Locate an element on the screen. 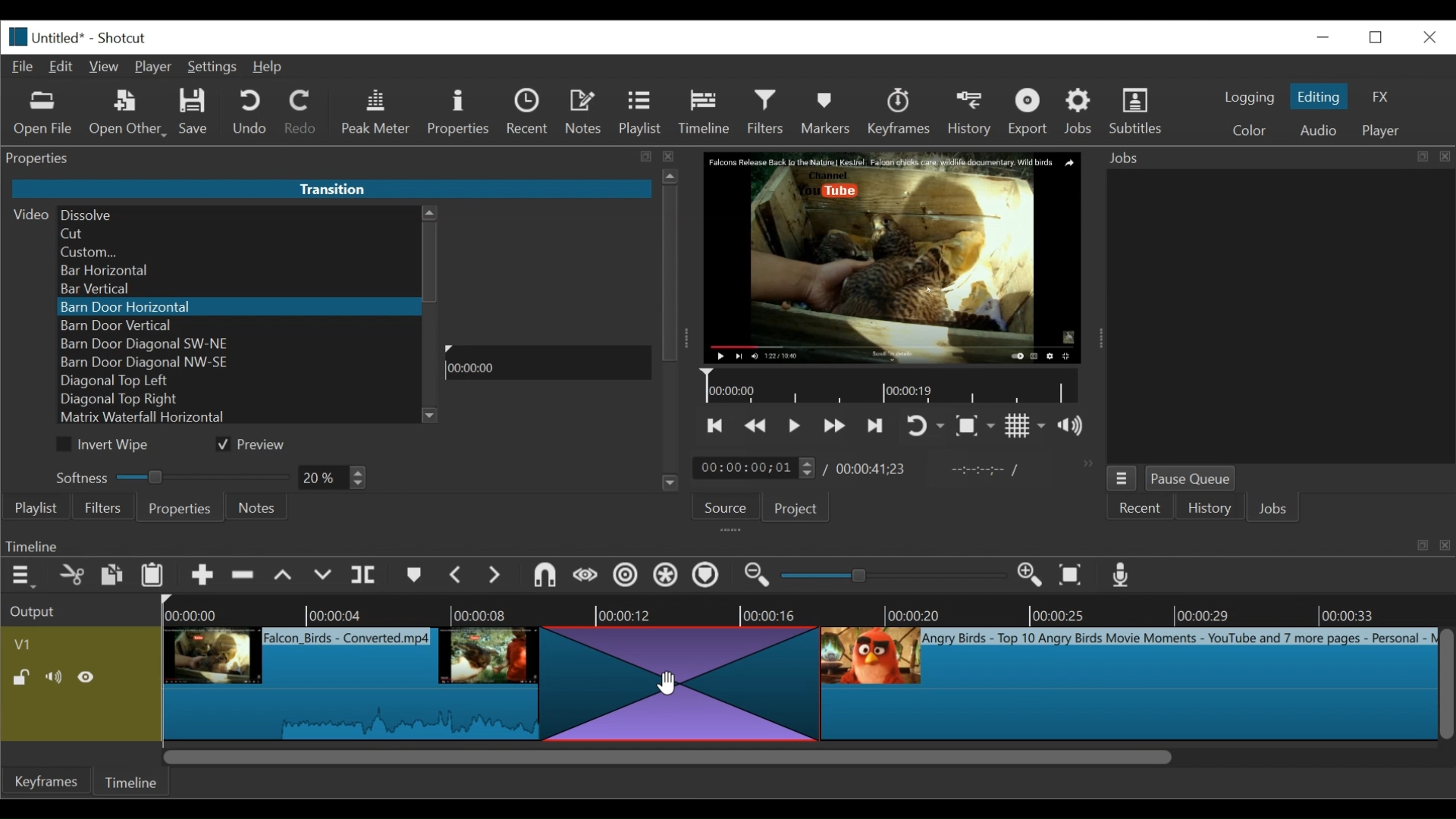 This screenshot has height=819, width=1456. In Point is located at coordinates (988, 473).